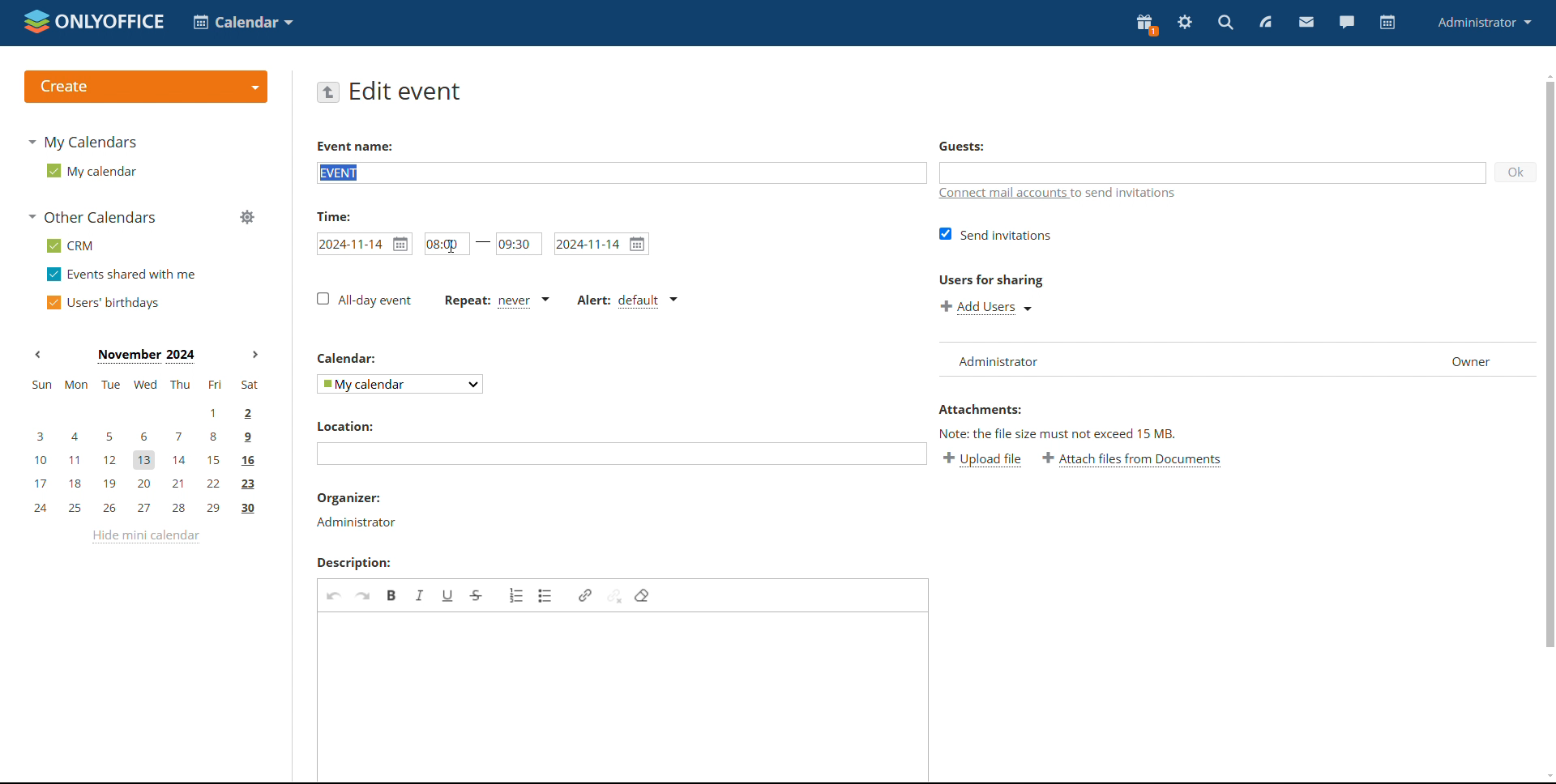  I want to click on time, so click(333, 215).